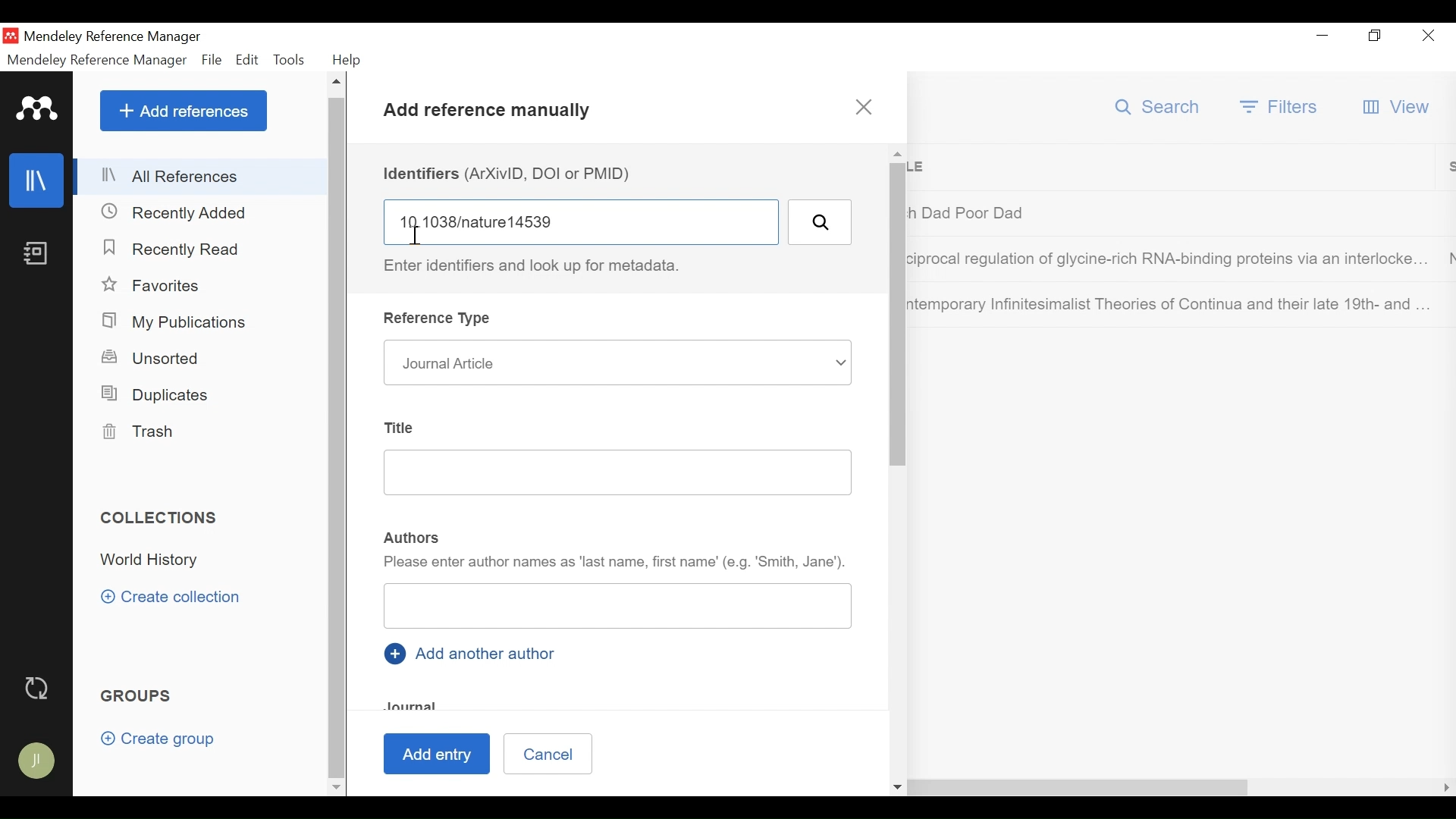  Describe the element at coordinates (1373, 36) in the screenshot. I see `Restore` at that location.